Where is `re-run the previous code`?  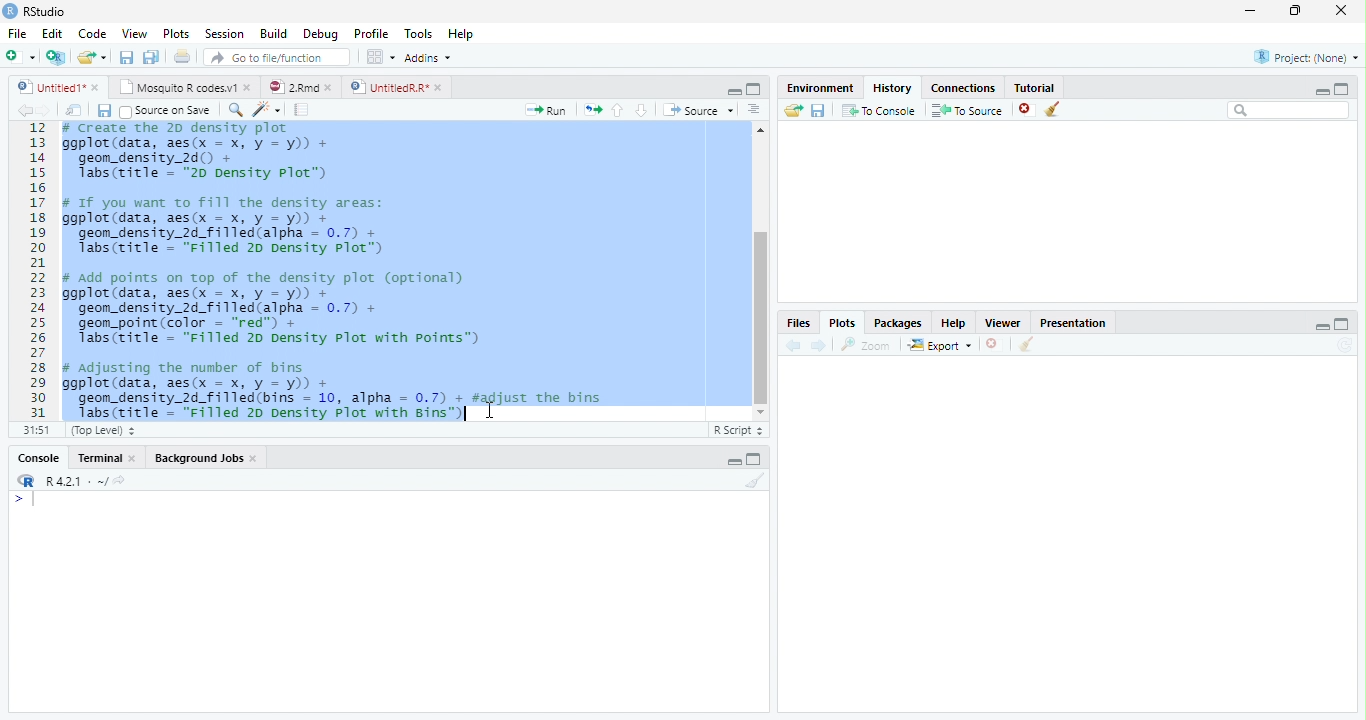 re-run the previous code is located at coordinates (592, 109).